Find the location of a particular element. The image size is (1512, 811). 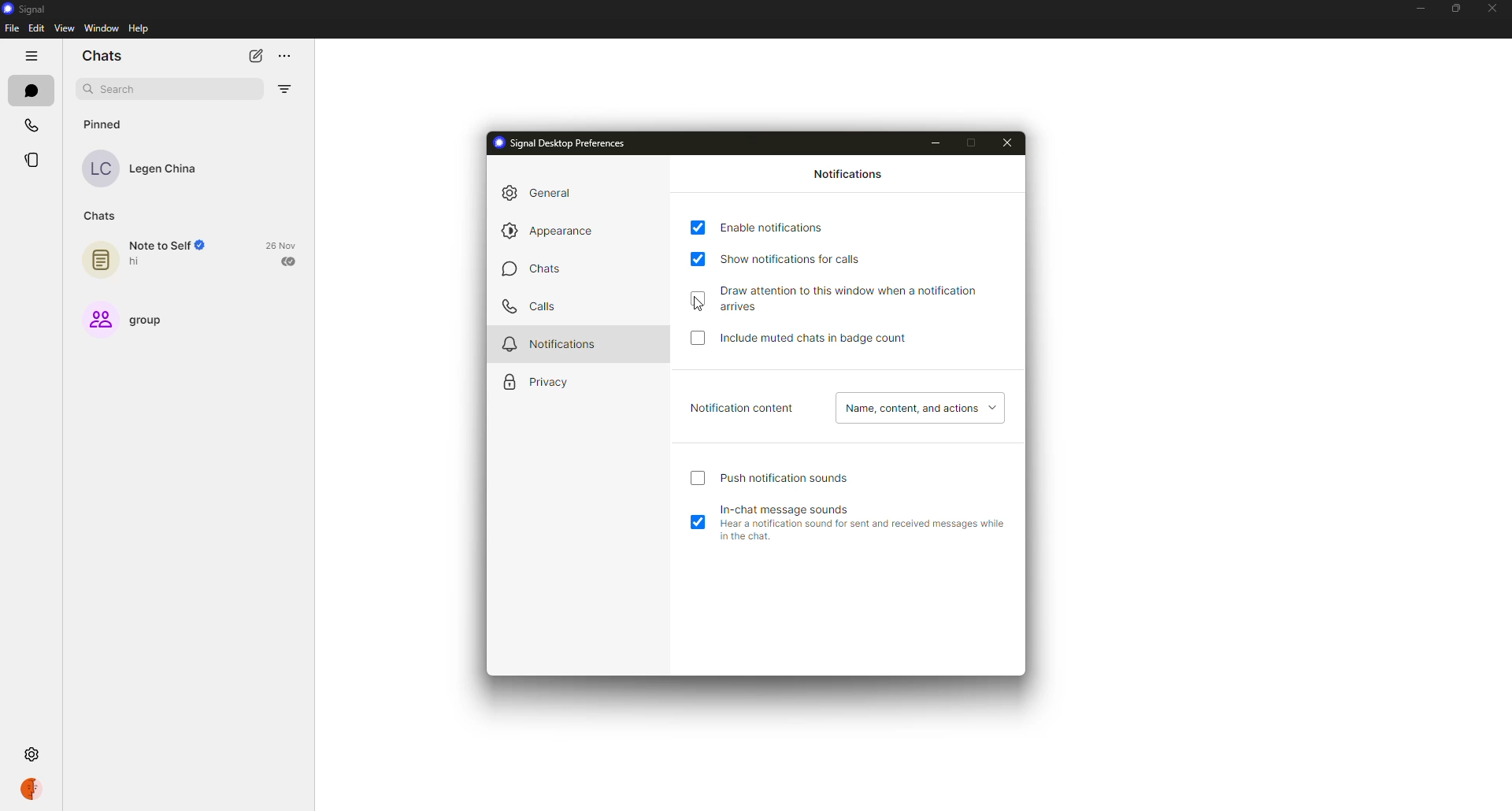

calls is located at coordinates (31, 121).